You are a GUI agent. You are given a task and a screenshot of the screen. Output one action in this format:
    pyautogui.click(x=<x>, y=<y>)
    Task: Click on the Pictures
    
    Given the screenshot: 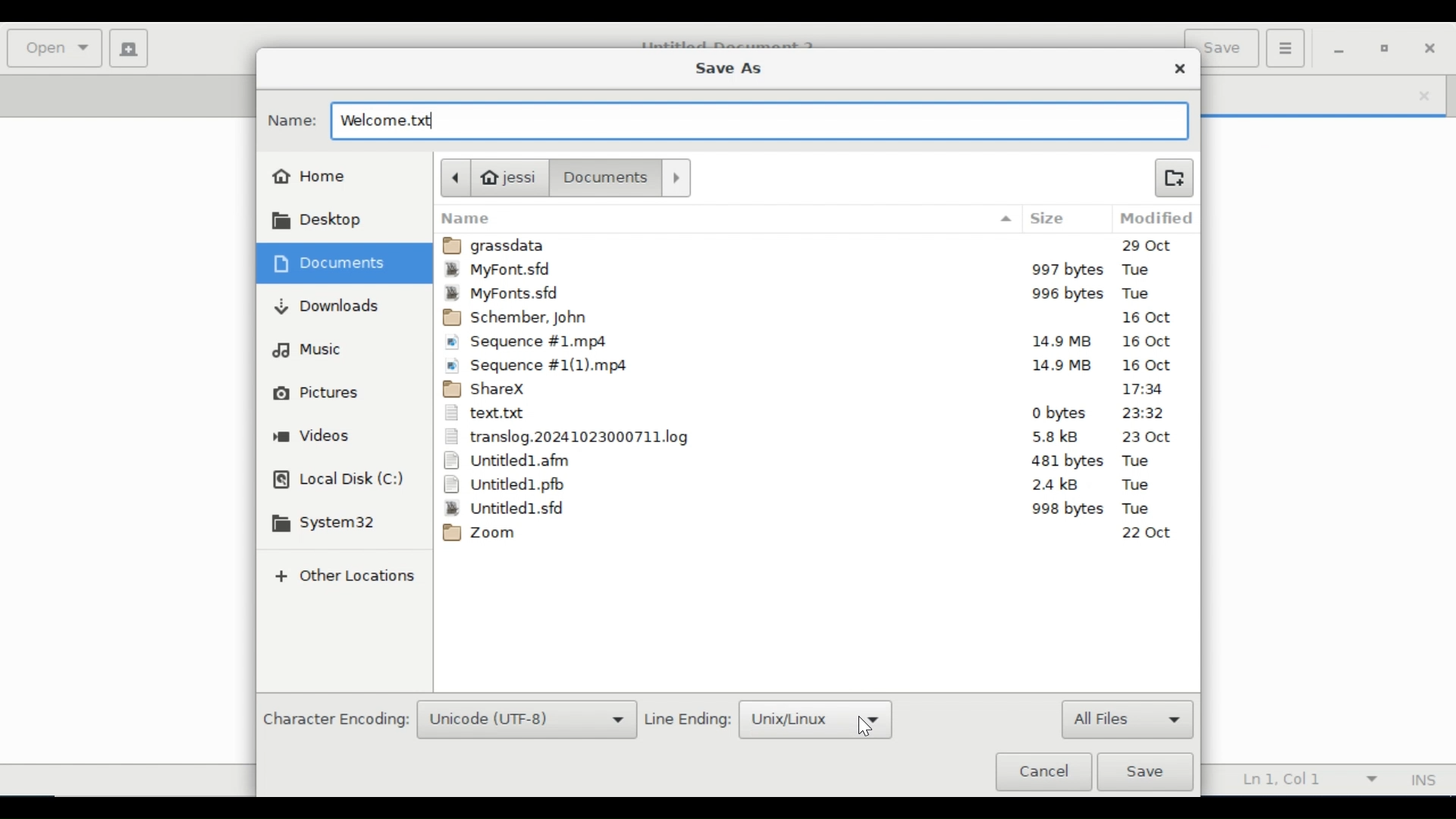 What is the action you would take?
    pyautogui.click(x=312, y=392)
    